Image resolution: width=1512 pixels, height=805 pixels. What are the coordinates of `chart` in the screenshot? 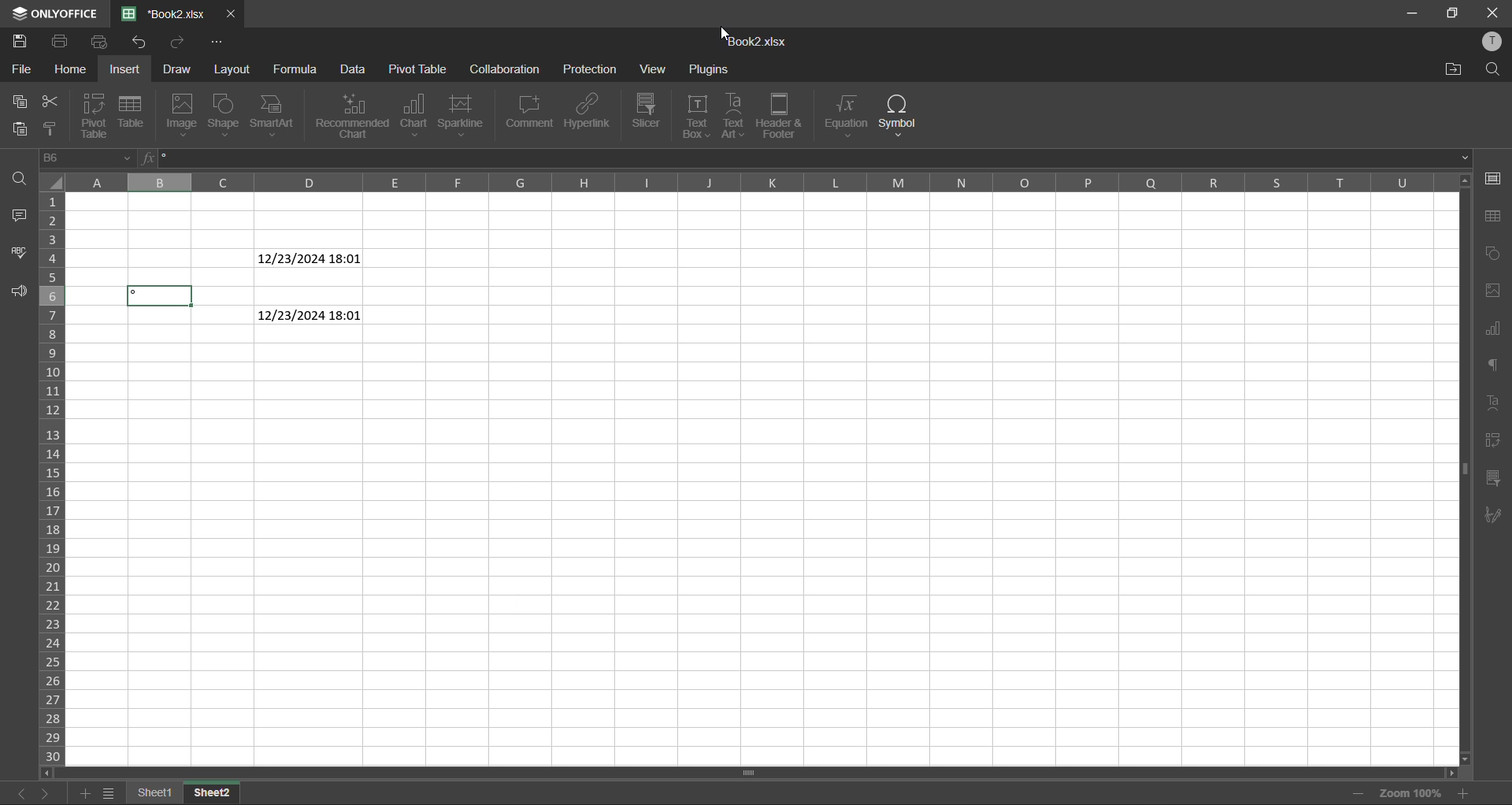 It's located at (1492, 253).